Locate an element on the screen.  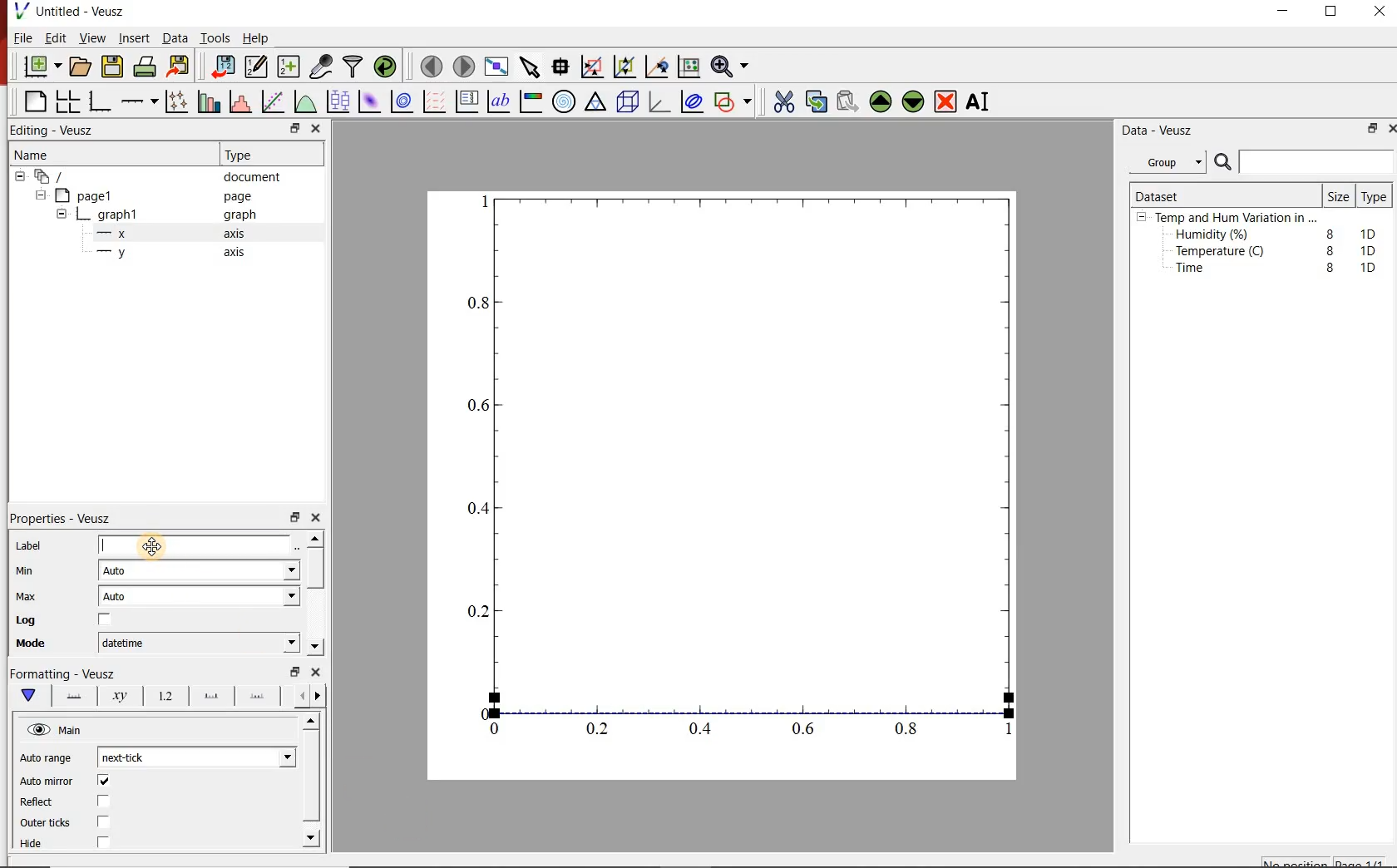
document is located at coordinates (258, 177).